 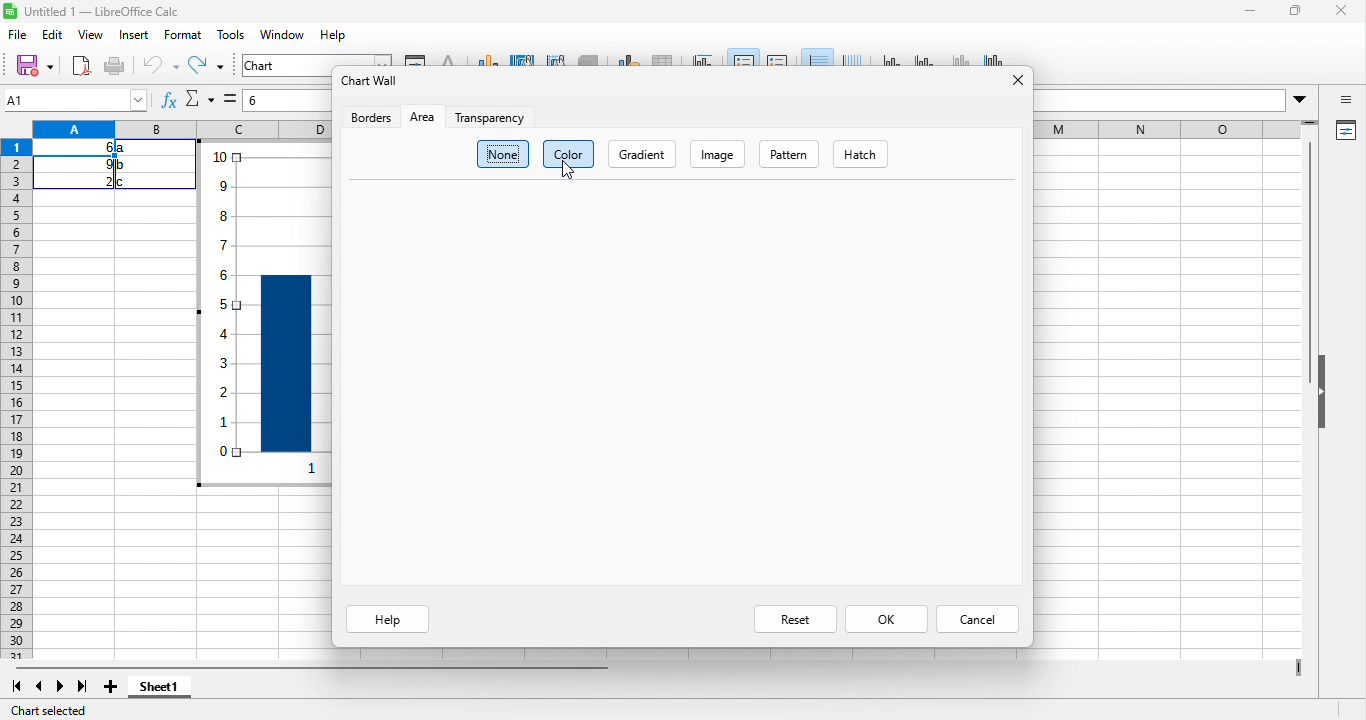 I want to click on title, so click(x=94, y=12).